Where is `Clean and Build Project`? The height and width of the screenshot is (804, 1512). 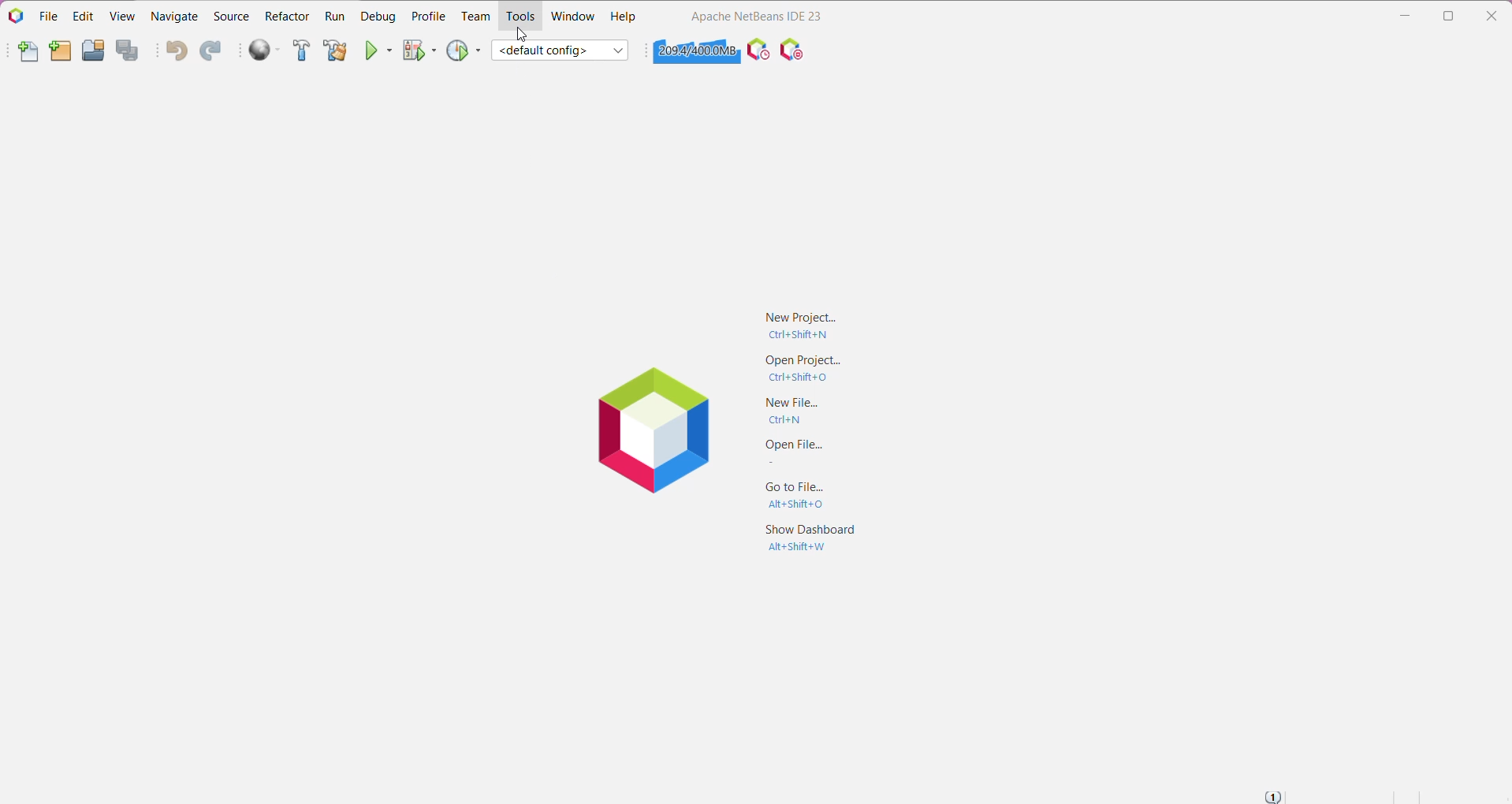 Clean and Build Project is located at coordinates (334, 51).